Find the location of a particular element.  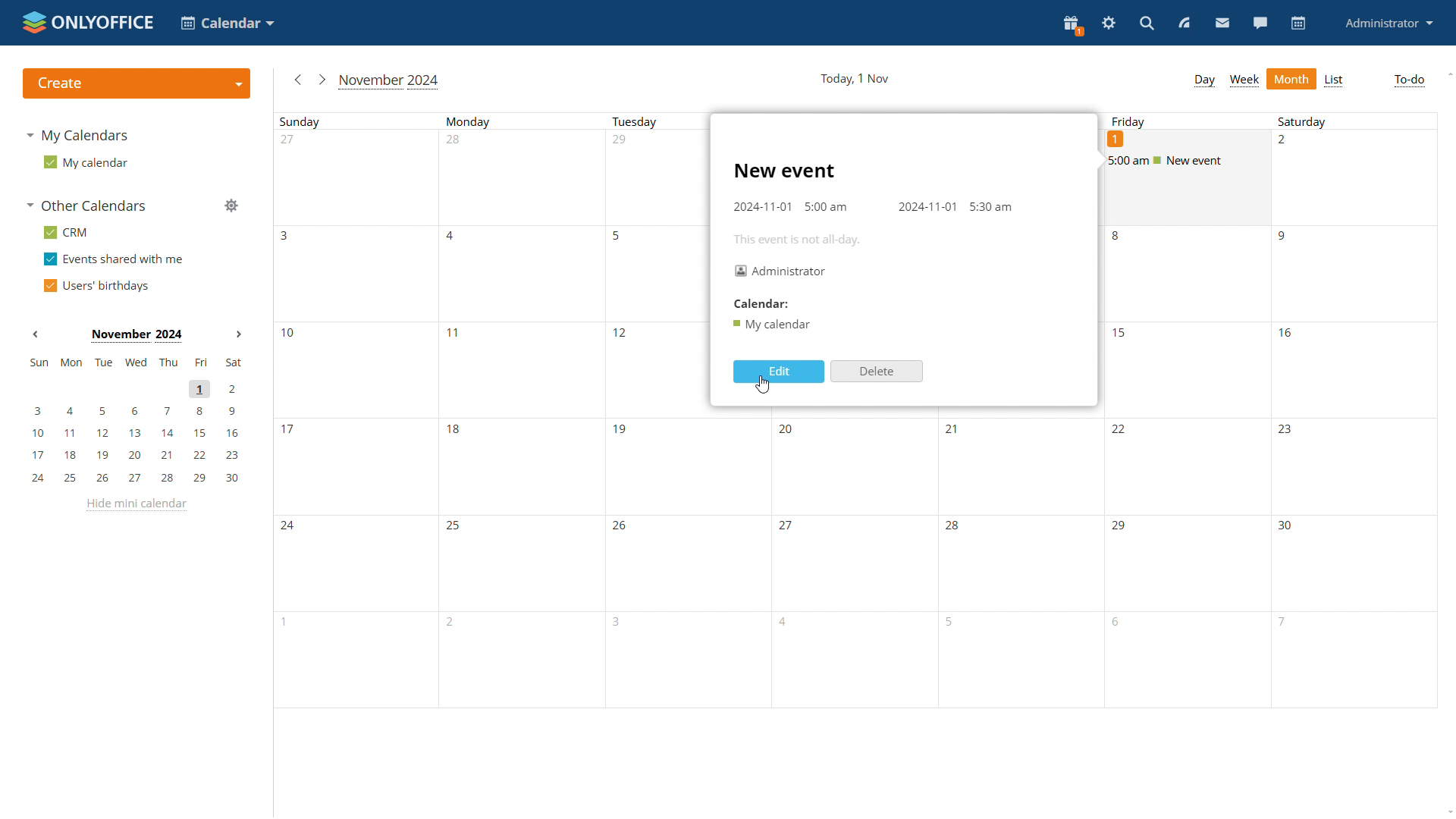

Fridays is located at coordinates (1185, 469).